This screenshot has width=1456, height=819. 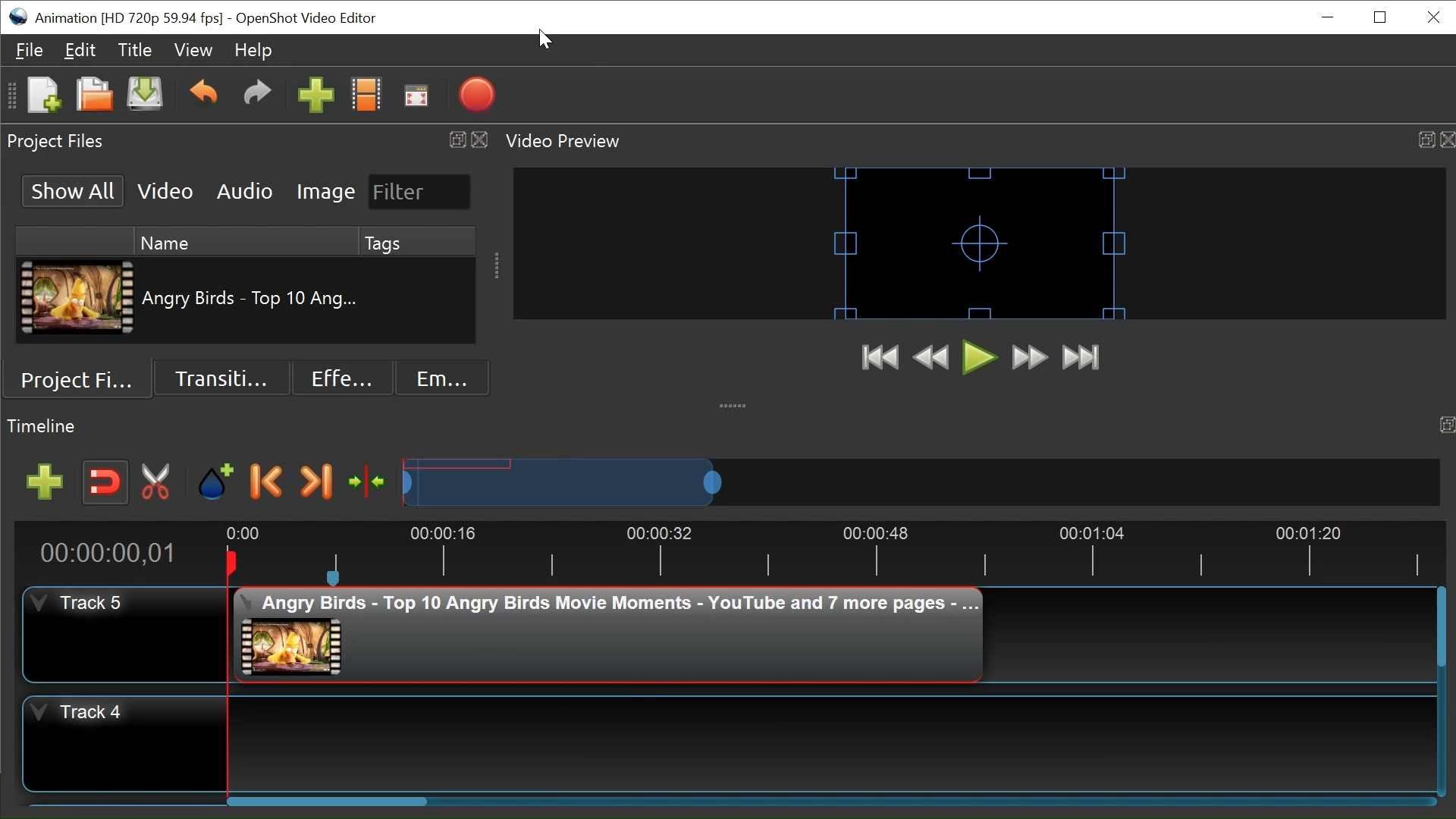 What do you see at coordinates (316, 482) in the screenshot?
I see `Next Marker` at bounding box center [316, 482].